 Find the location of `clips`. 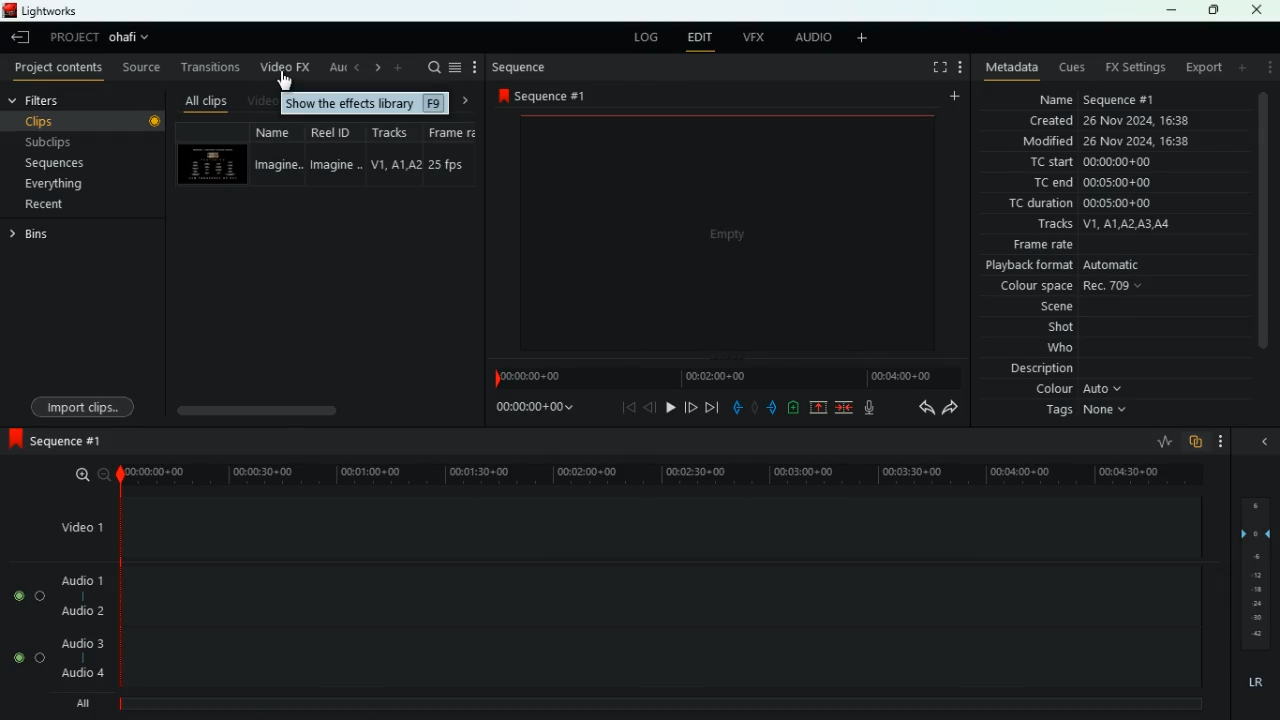

clips is located at coordinates (86, 122).